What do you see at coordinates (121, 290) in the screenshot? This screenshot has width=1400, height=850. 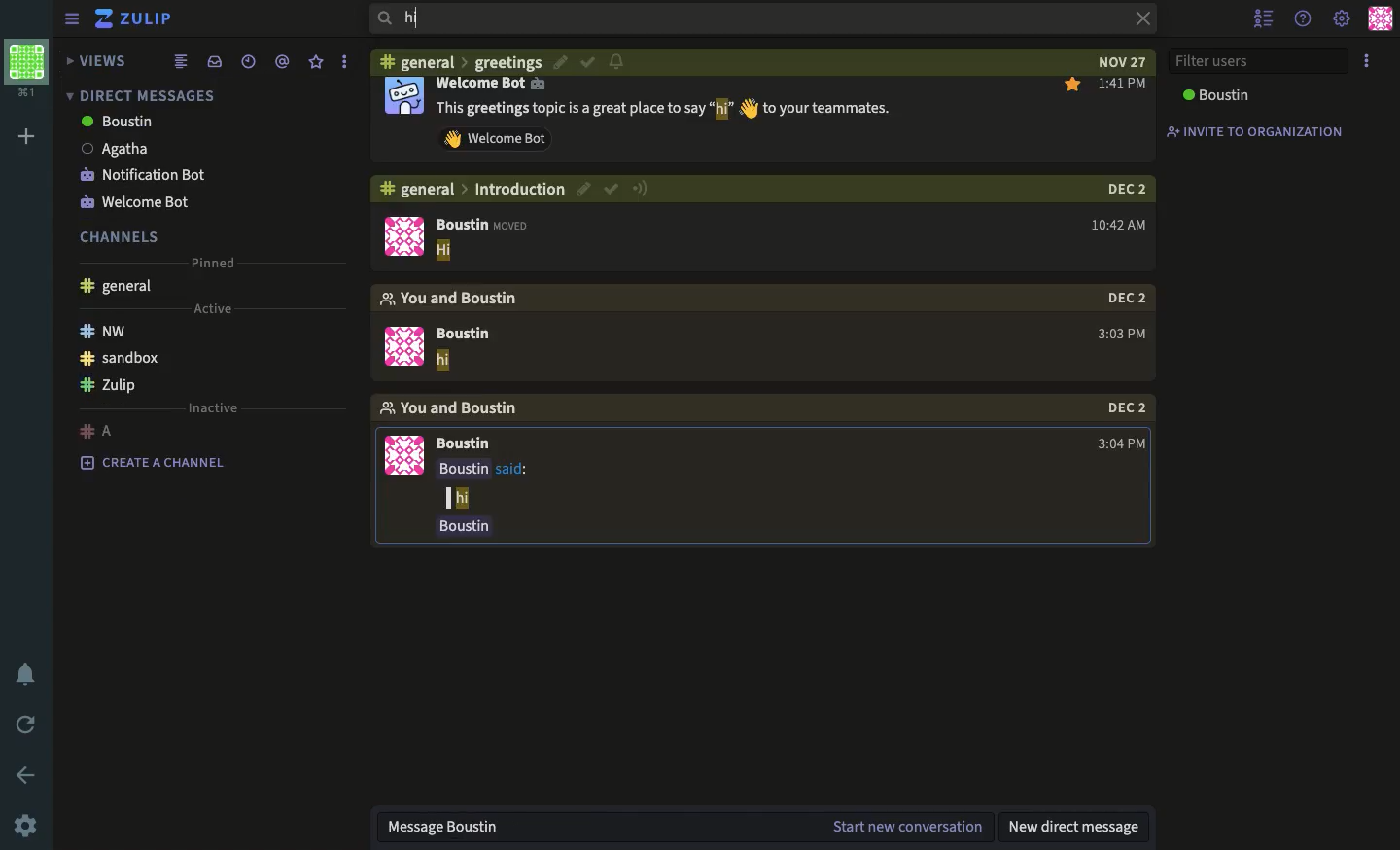 I see `general` at bounding box center [121, 290].